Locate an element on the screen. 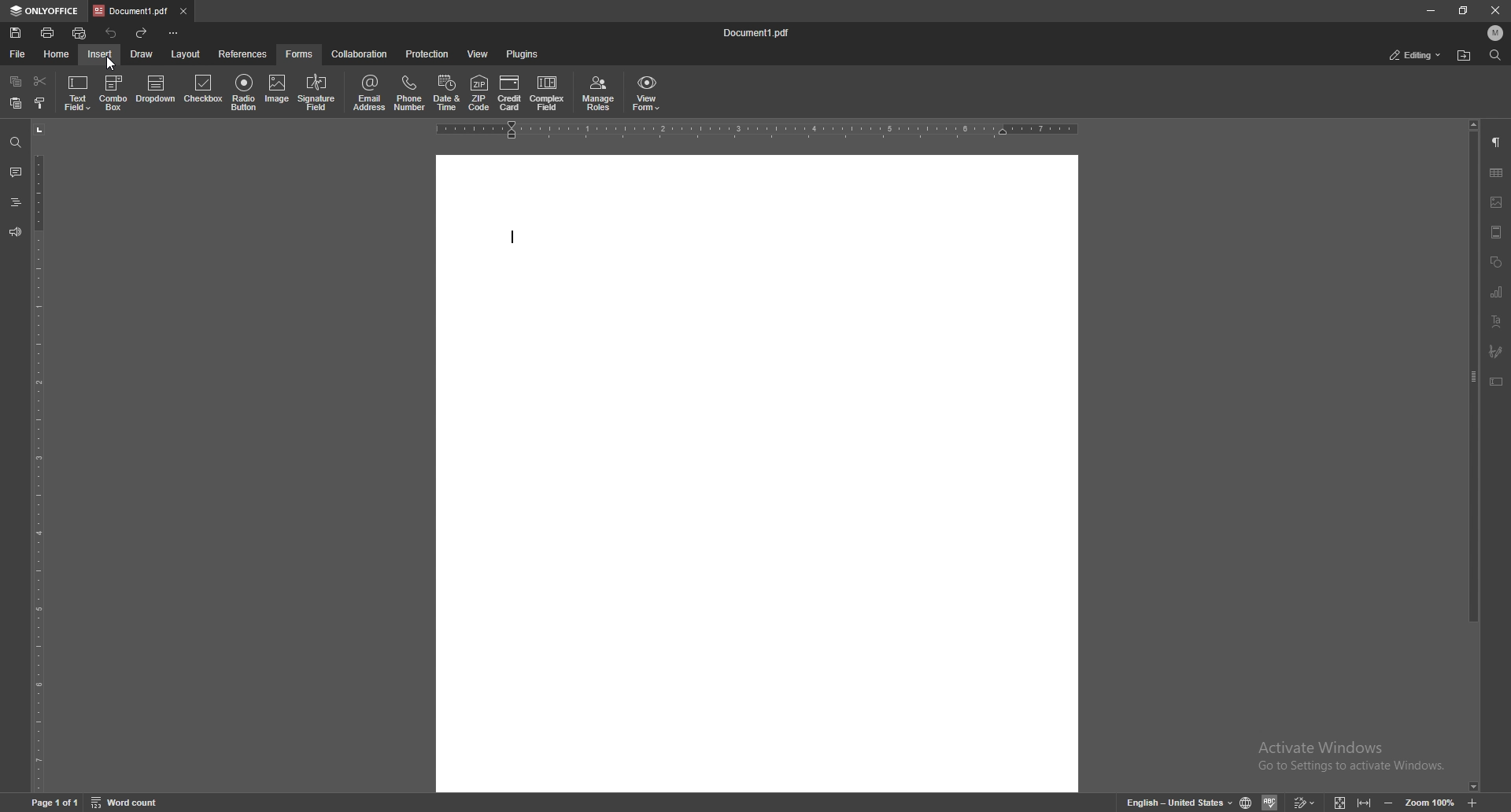 Image resolution: width=1511 pixels, height=812 pixels. text cursor is located at coordinates (512, 238).